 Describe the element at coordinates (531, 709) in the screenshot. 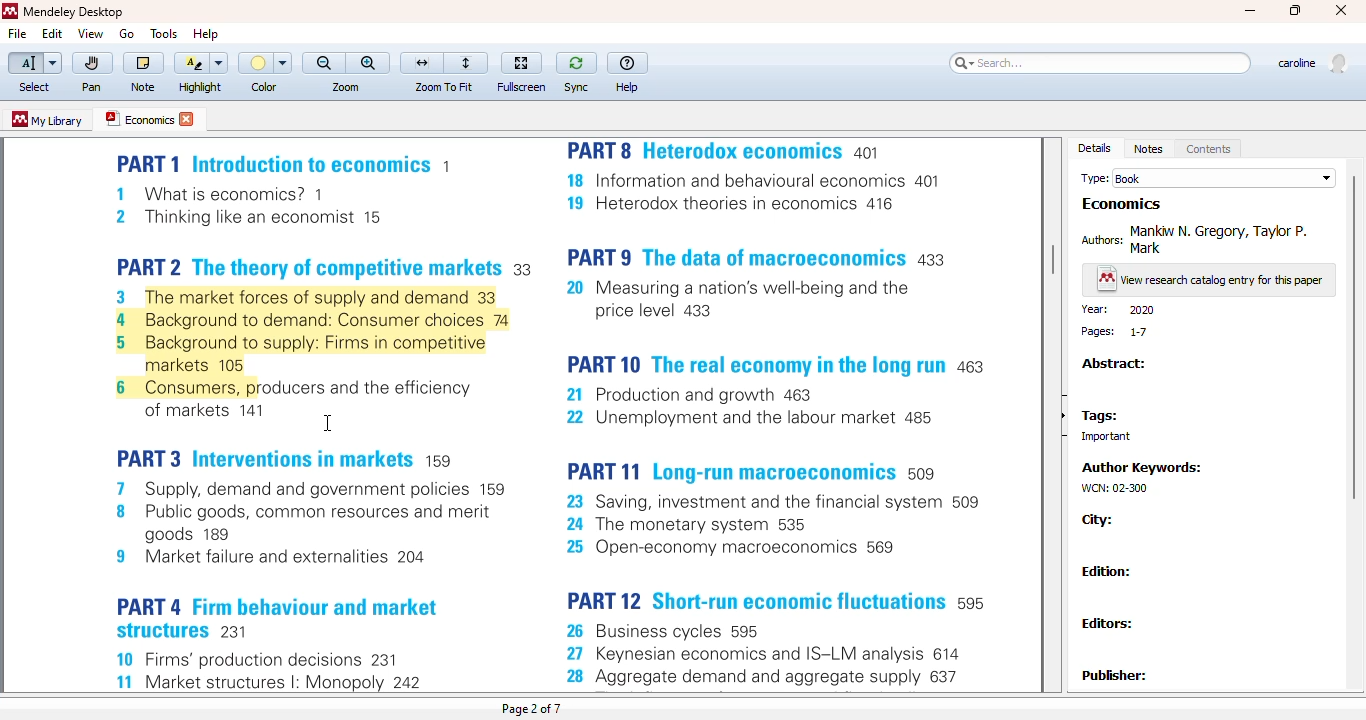

I see `page 2 of 7` at that location.